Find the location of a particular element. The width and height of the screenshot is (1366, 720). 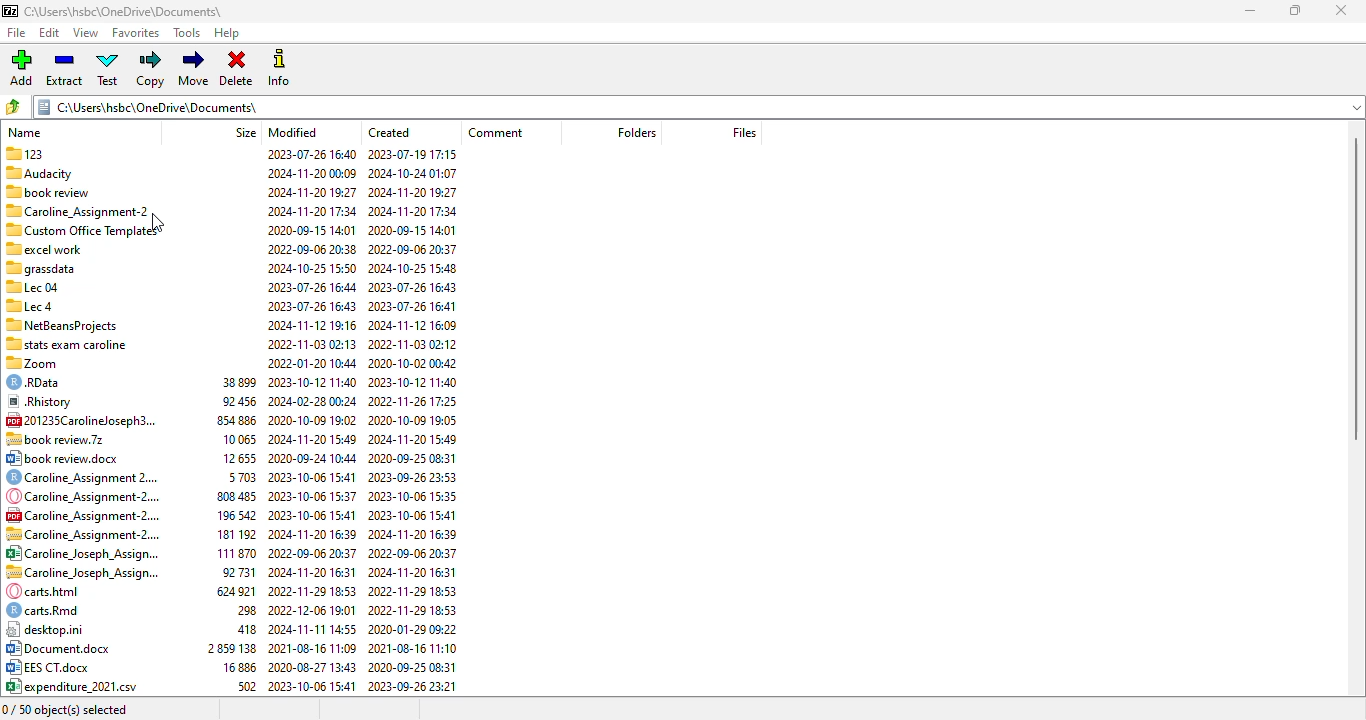

2004-11-20 16:311 is located at coordinates (313, 571).